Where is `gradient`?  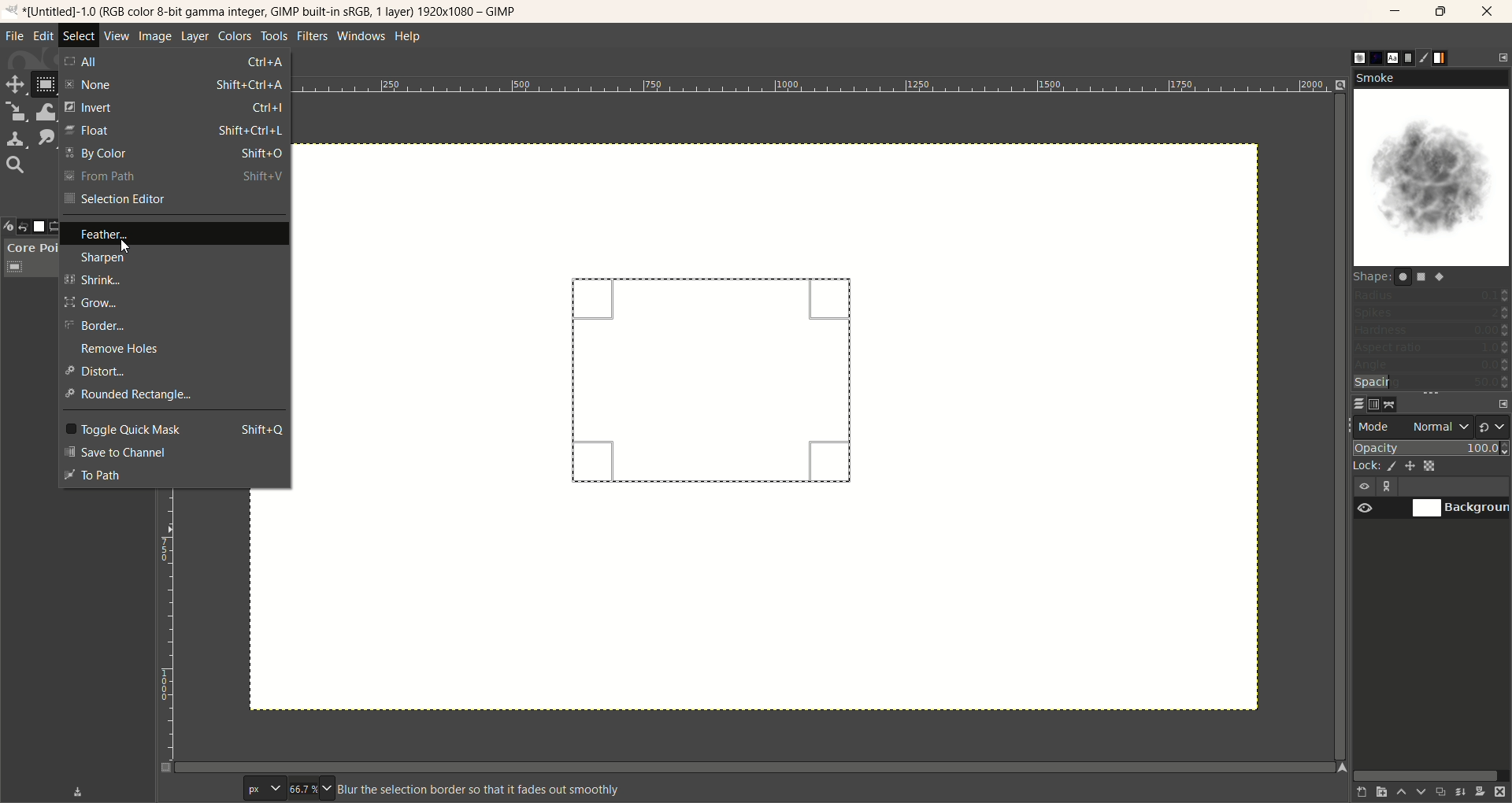 gradient is located at coordinates (1441, 58).